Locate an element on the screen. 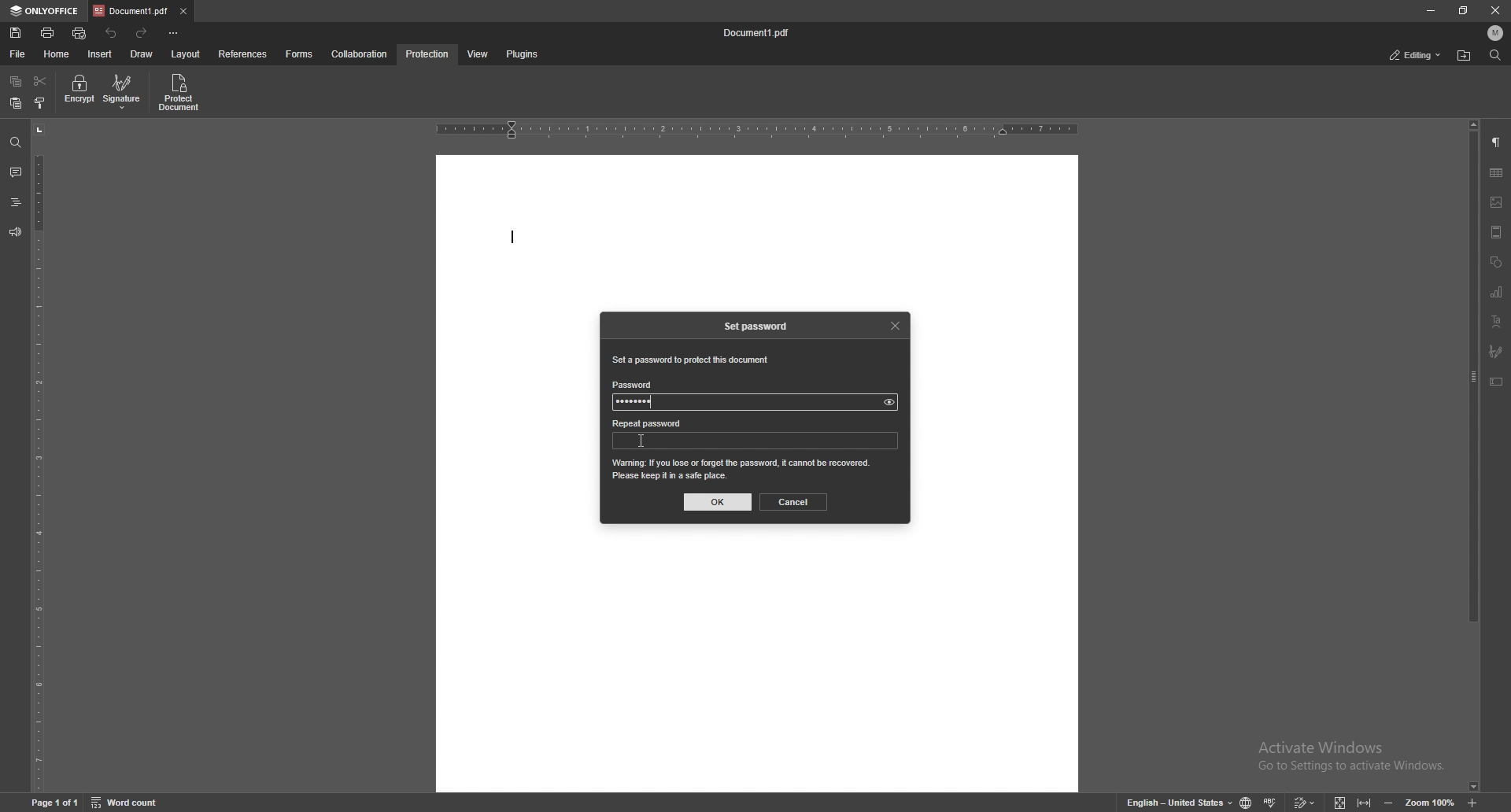  minimize is located at coordinates (1430, 10).